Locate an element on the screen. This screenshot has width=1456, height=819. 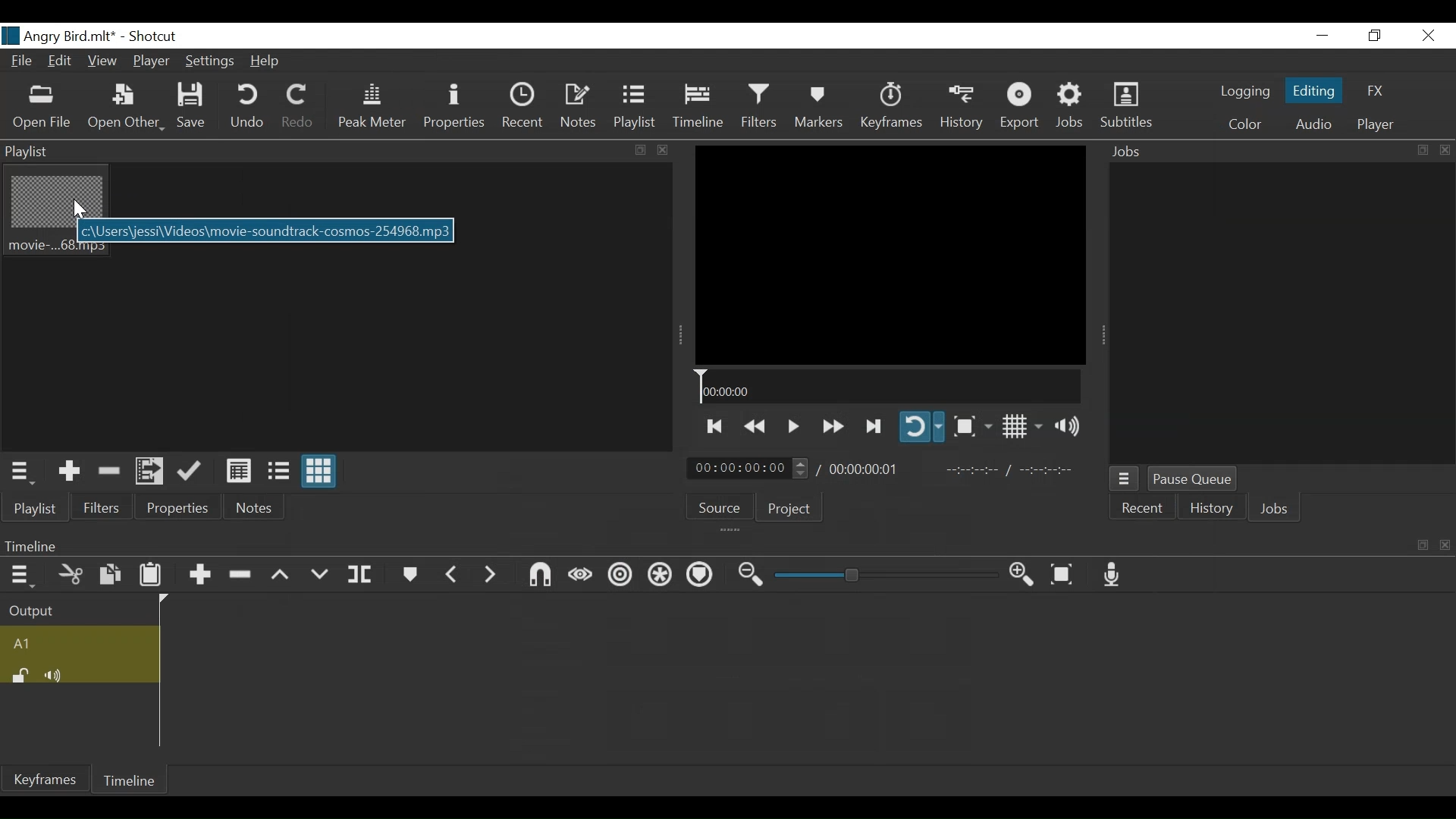
Media Viewer is located at coordinates (890, 255).